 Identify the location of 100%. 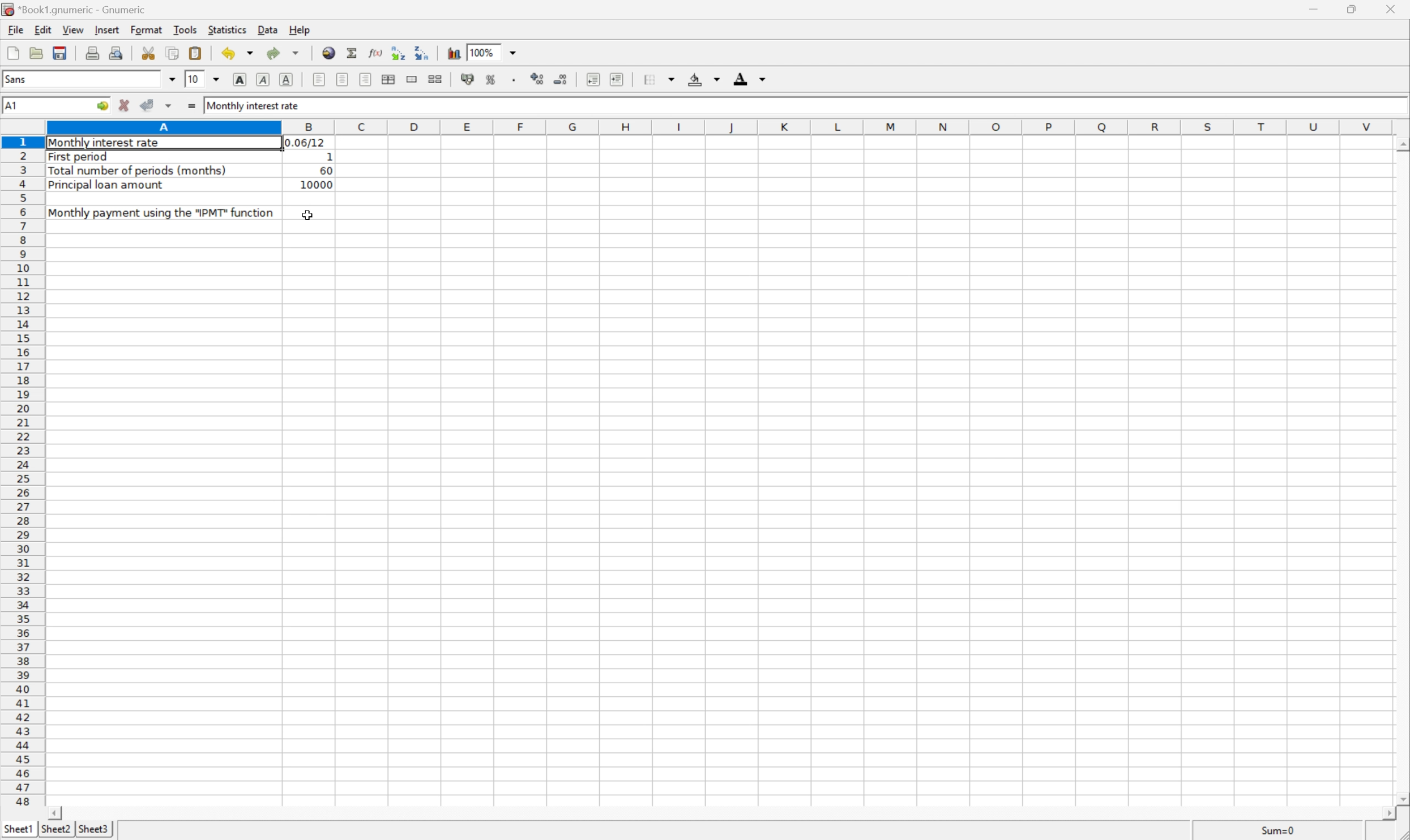
(481, 52).